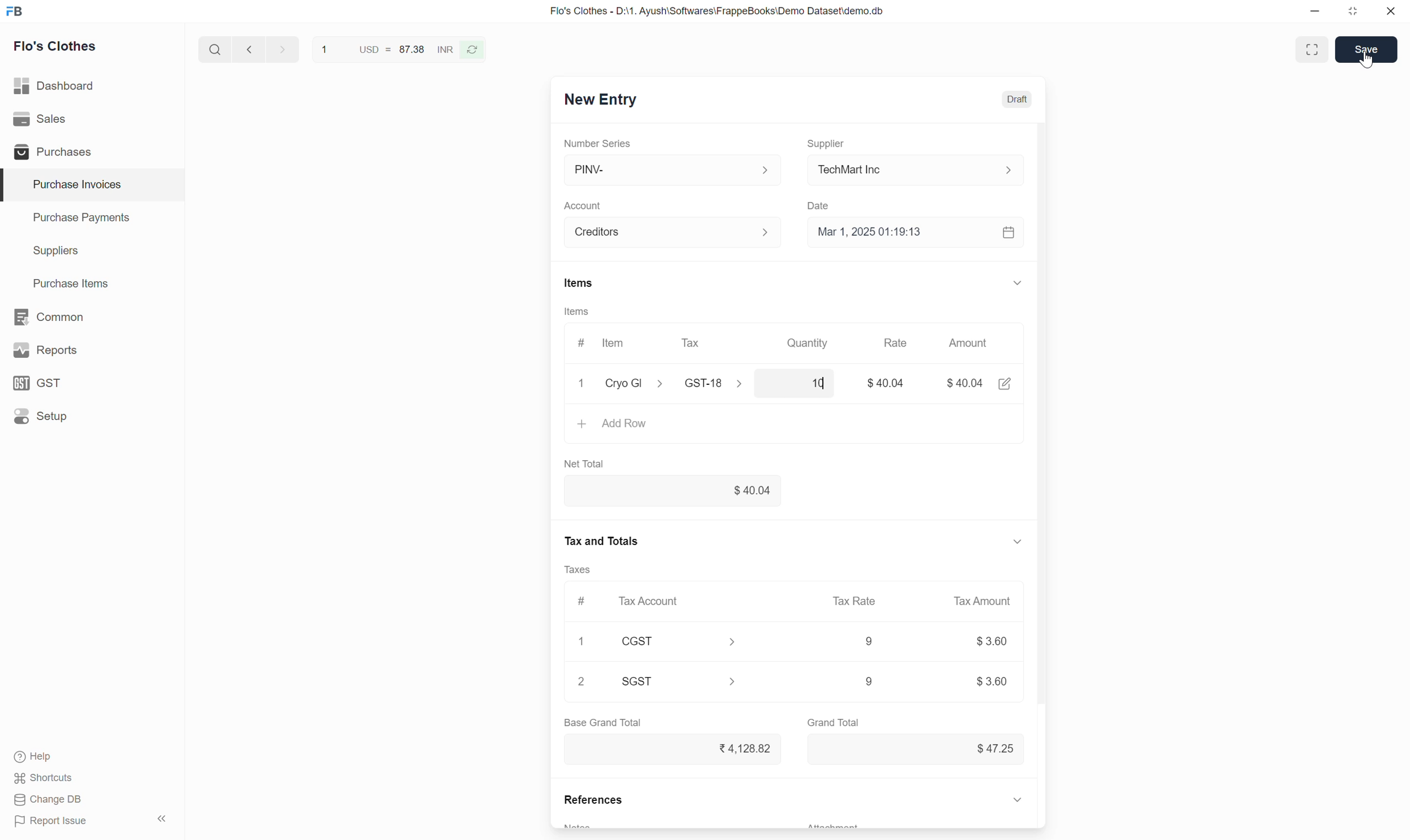 Image resolution: width=1410 pixels, height=840 pixels. What do you see at coordinates (591, 802) in the screenshot?
I see `References` at bounding box center [591, 802].